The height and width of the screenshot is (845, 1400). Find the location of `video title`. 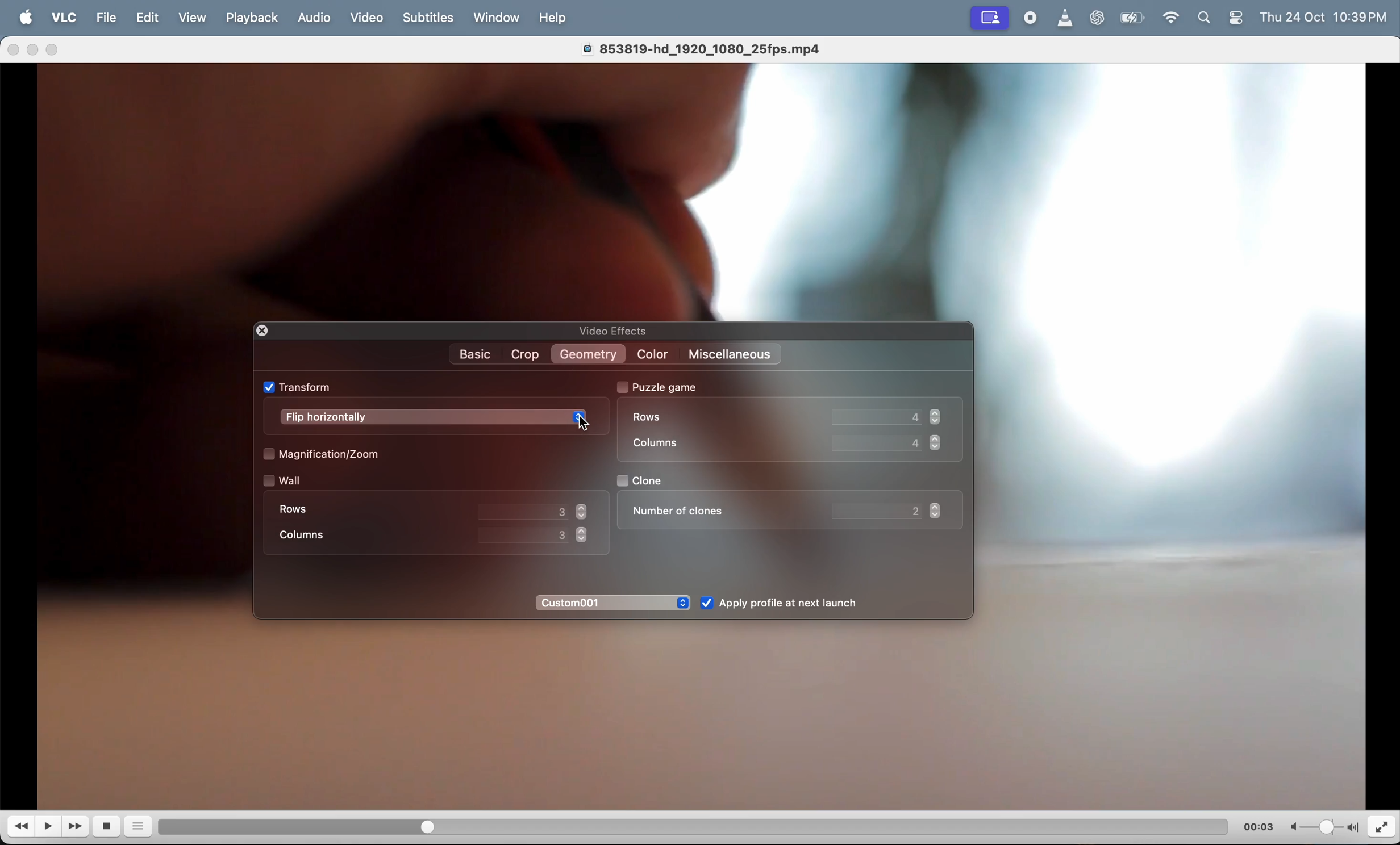

video title is located at coordinates (711, 47).